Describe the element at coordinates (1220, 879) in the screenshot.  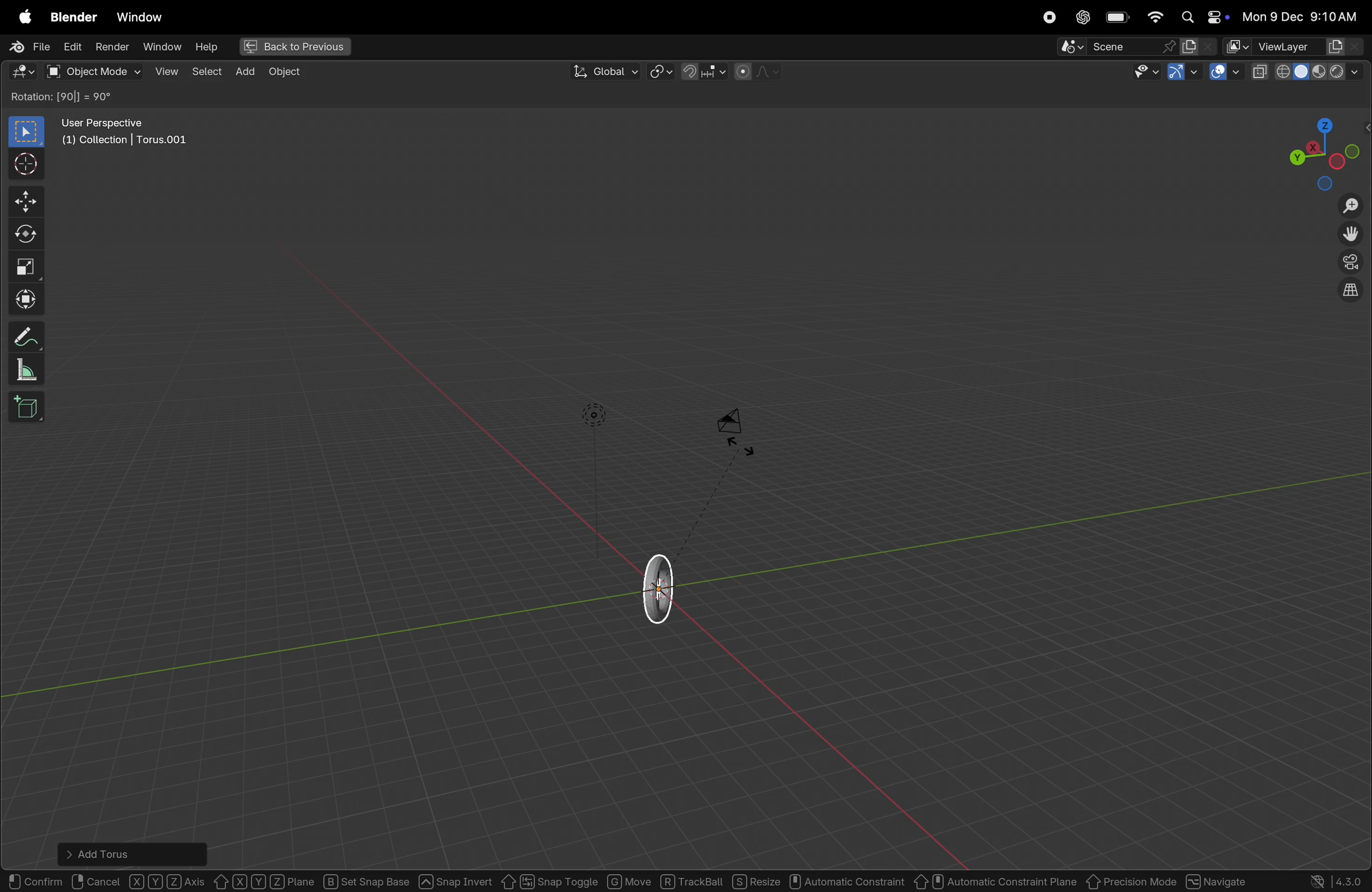
I see `navigate` at that location.